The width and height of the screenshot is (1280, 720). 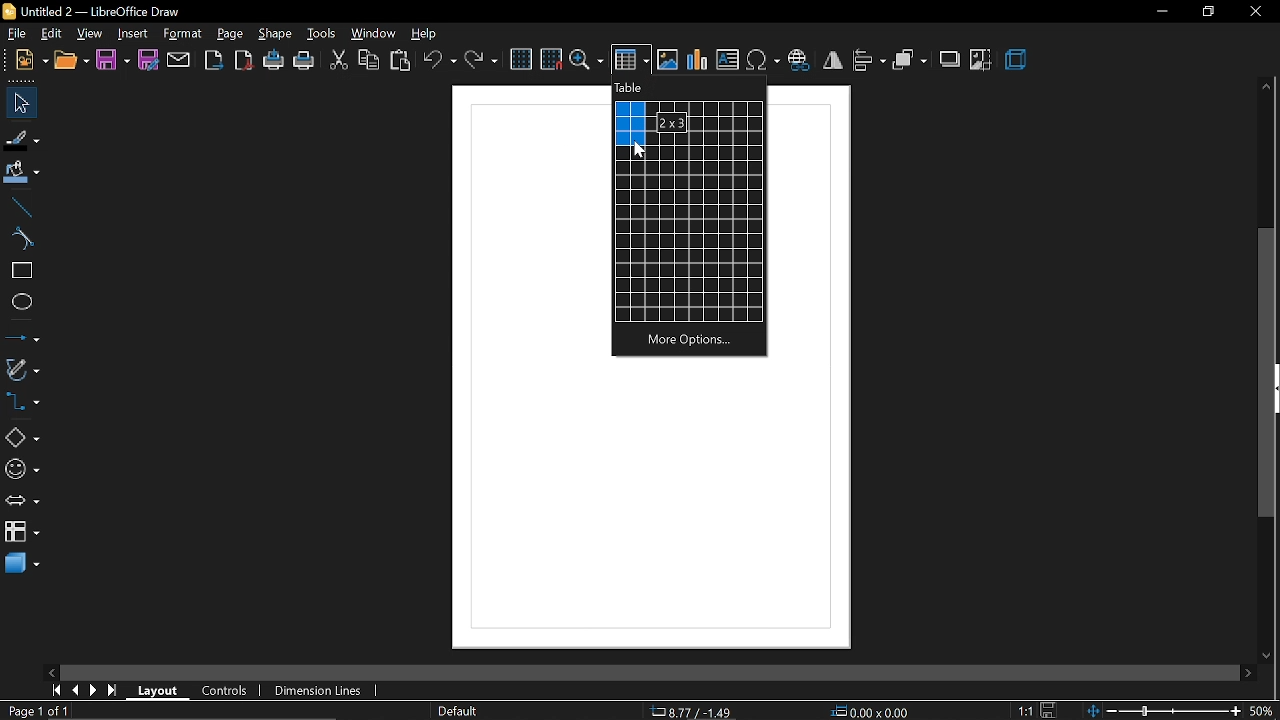 What do you see at coordinates (22, 401) in the screenshot?
I see `connector` at bounding box center [22, 401].